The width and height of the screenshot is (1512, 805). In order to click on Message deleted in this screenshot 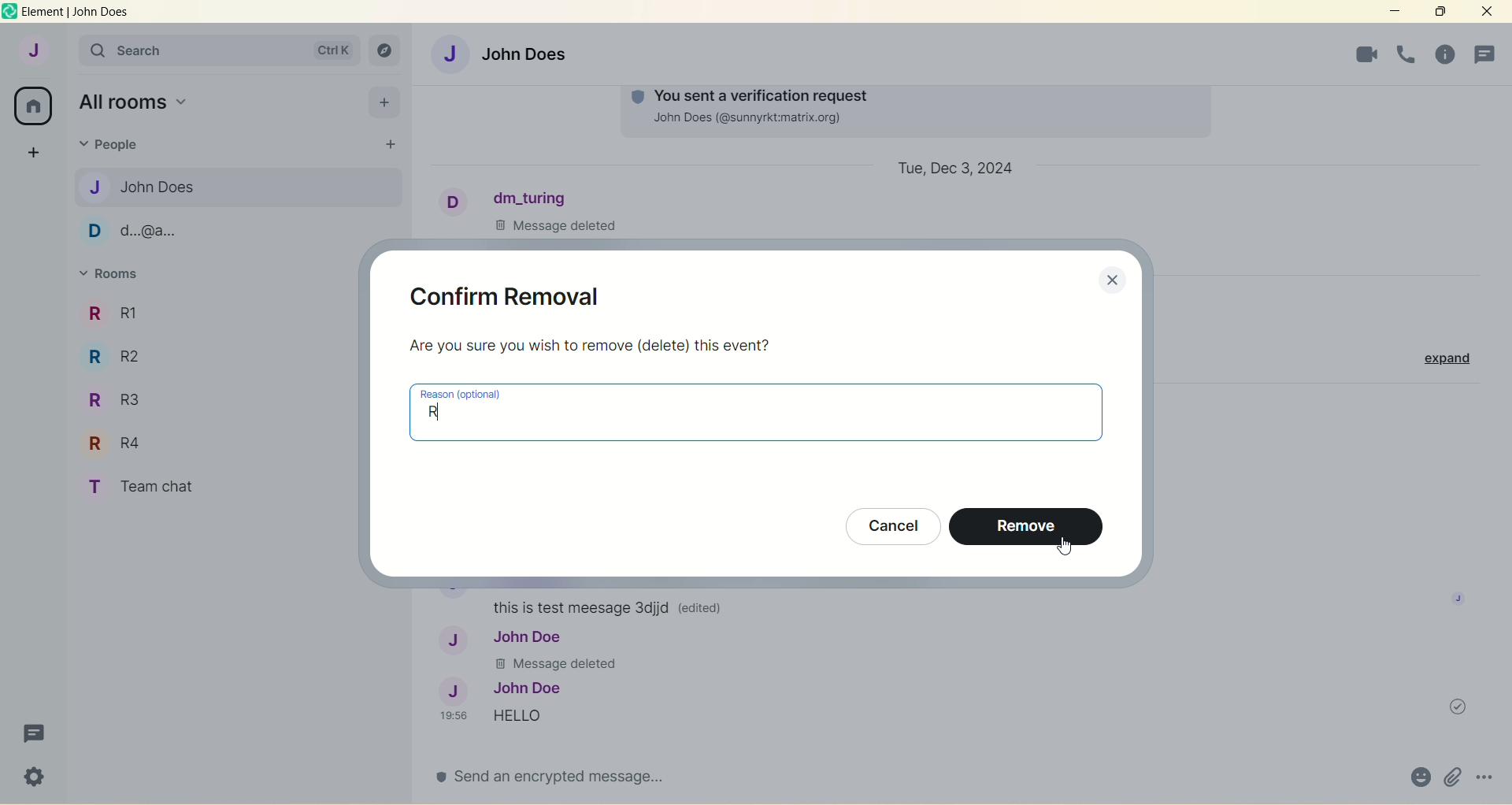, I will do `click(561, 663)`.